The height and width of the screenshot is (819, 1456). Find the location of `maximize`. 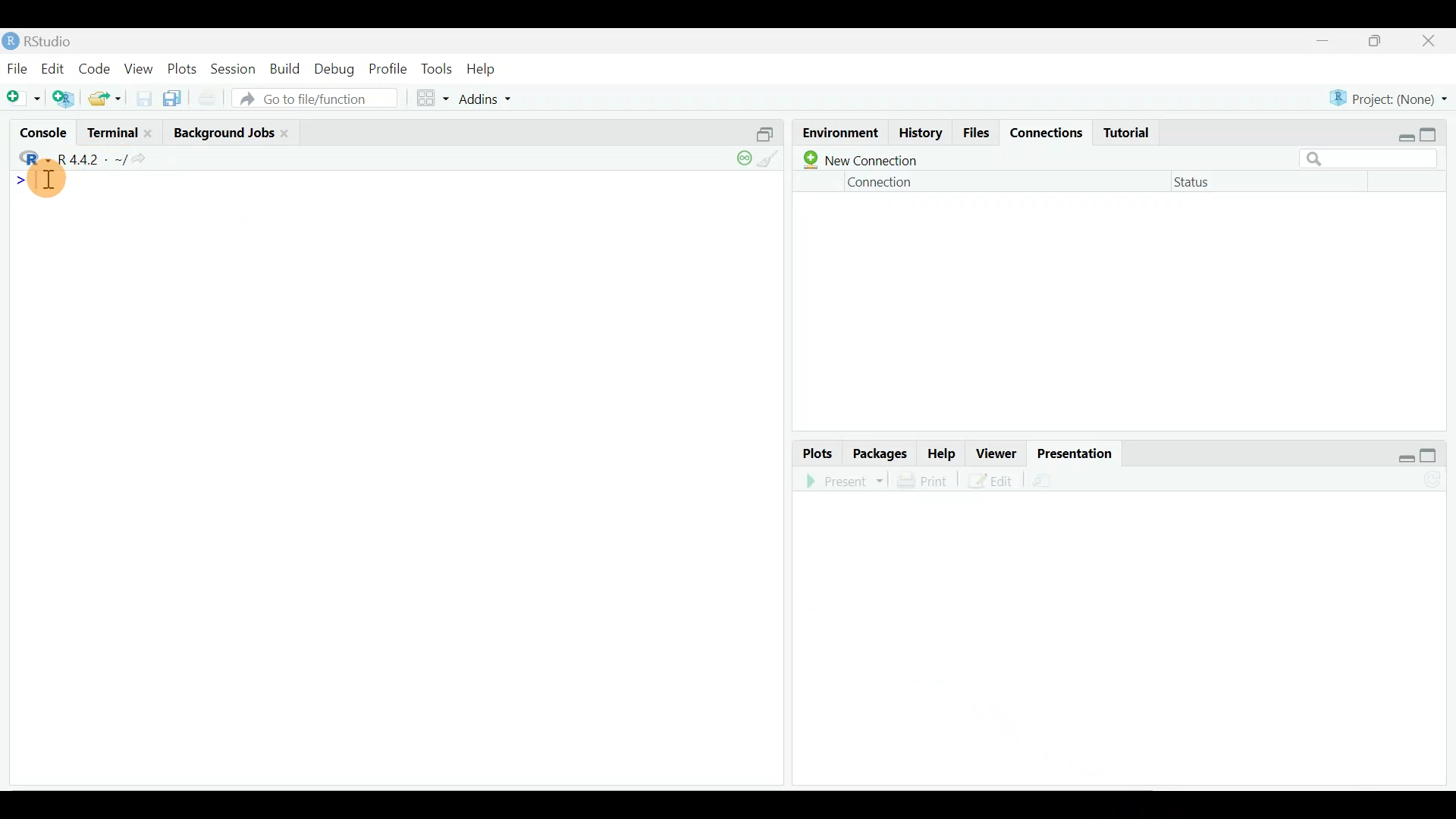

maximize is located at coordinates (1432, 454).